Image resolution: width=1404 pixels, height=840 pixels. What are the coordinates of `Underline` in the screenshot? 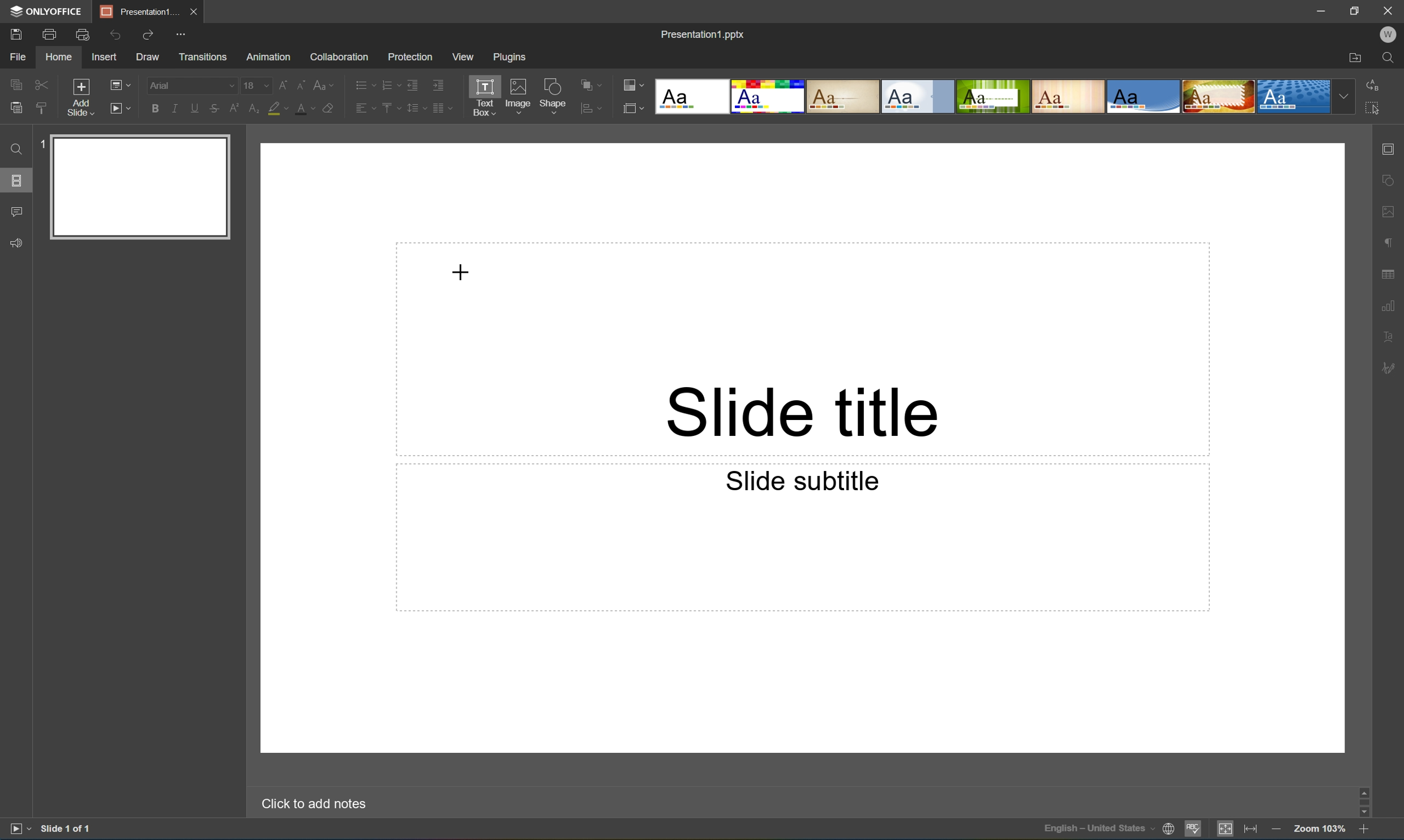 It's located at (195, 106).